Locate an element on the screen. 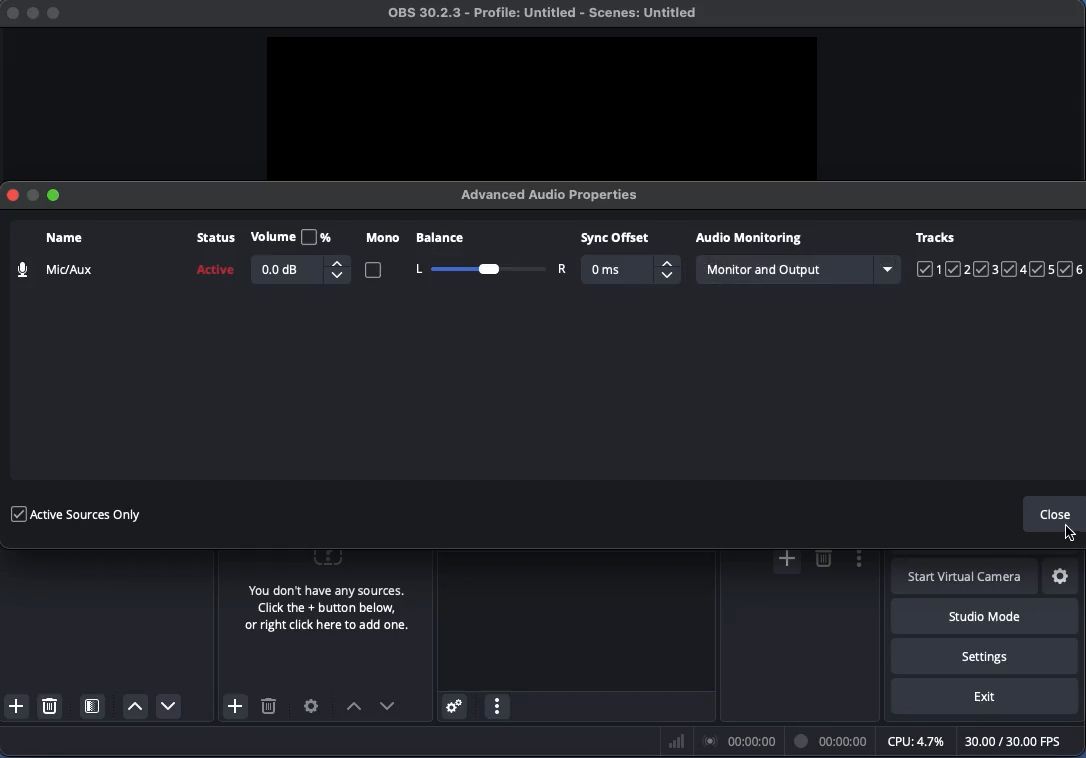 This screenshot has width=1086, height=758. close is located at coordinates (8, 14).